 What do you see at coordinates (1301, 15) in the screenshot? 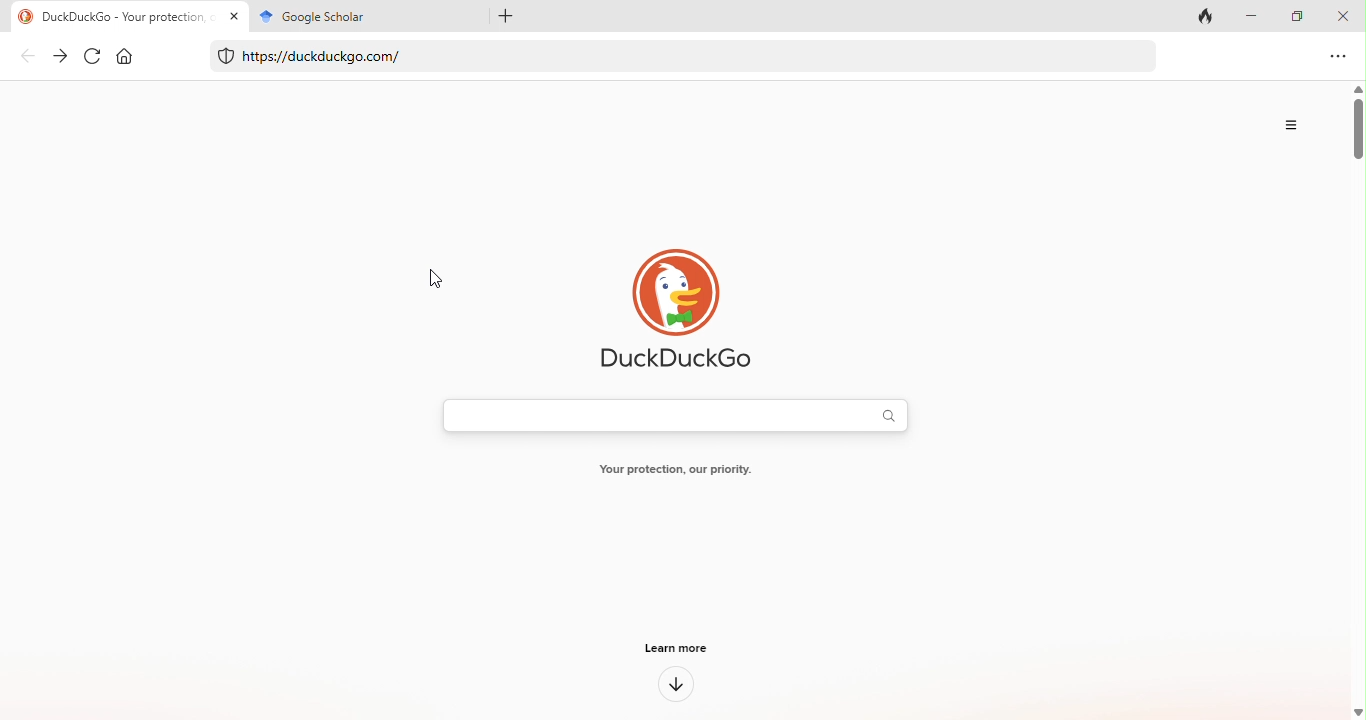
I see `maximize` at bounding box center [1301, 15].